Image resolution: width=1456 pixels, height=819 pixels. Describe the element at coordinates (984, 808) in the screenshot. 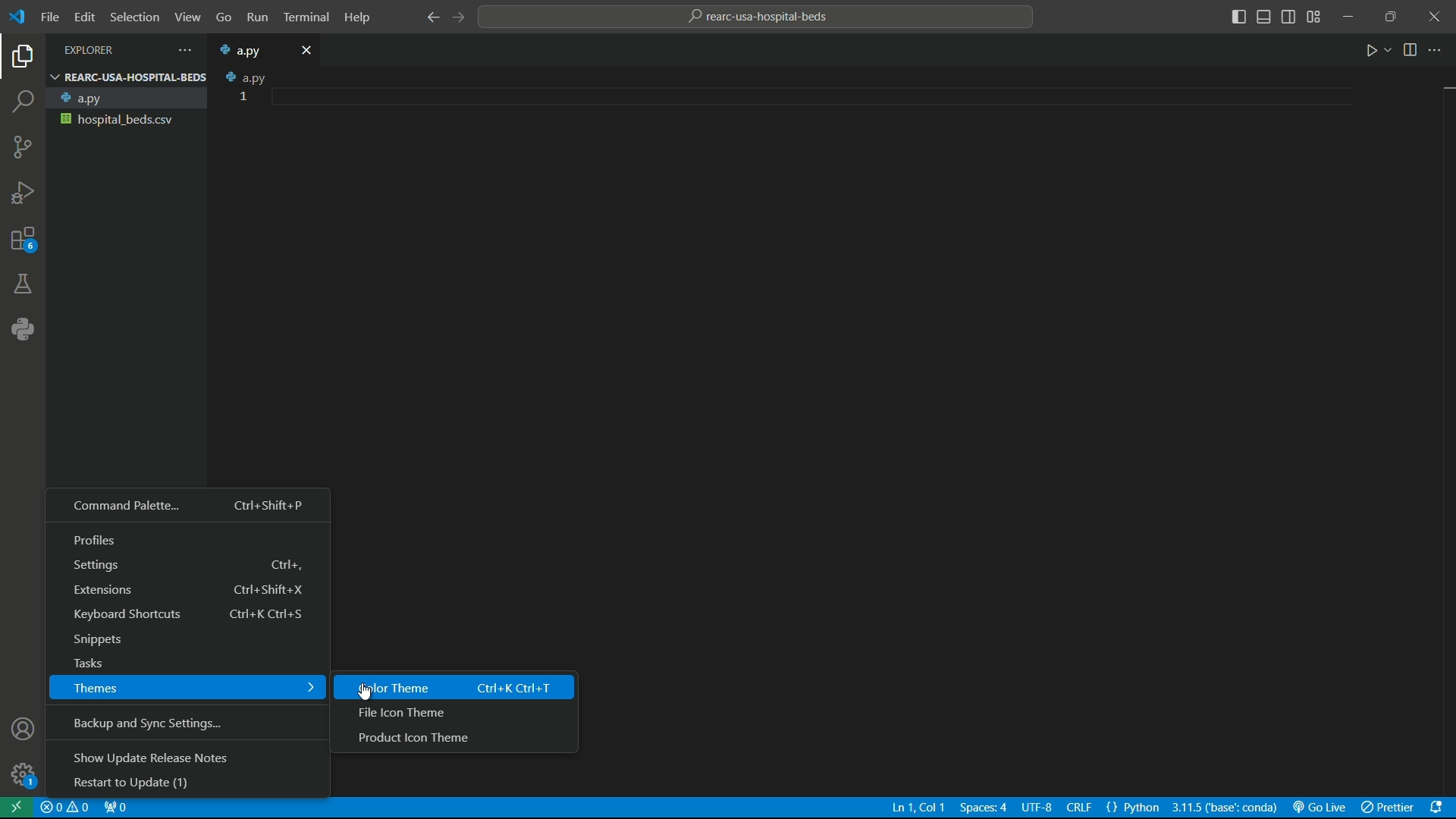

I see `select indentation` at that location.